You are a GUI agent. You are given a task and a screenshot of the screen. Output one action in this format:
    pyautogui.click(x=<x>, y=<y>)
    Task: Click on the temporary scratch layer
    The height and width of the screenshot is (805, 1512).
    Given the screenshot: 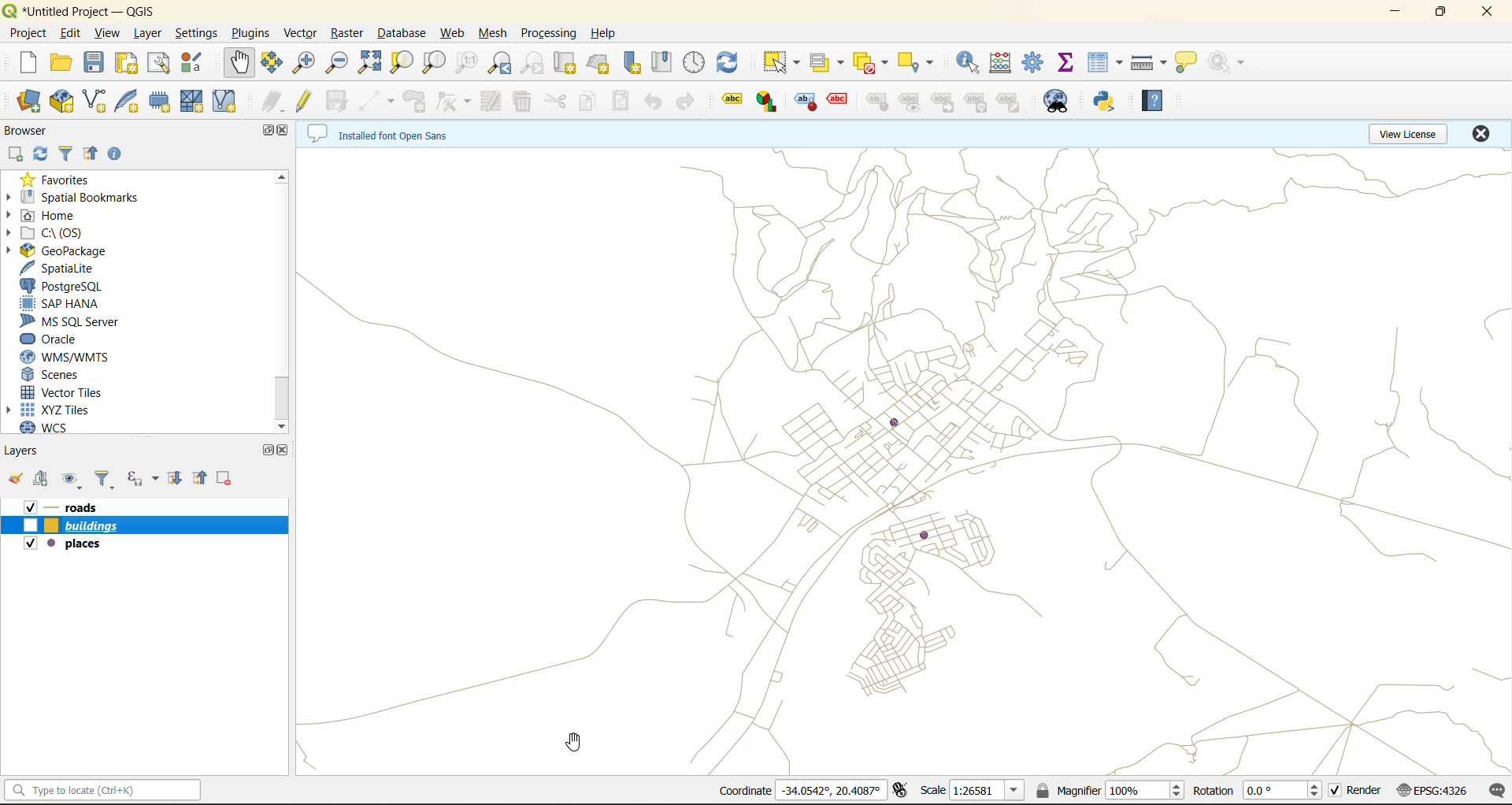 What is the action you would take?
    pyautogui.click(x=166, y=102)
    